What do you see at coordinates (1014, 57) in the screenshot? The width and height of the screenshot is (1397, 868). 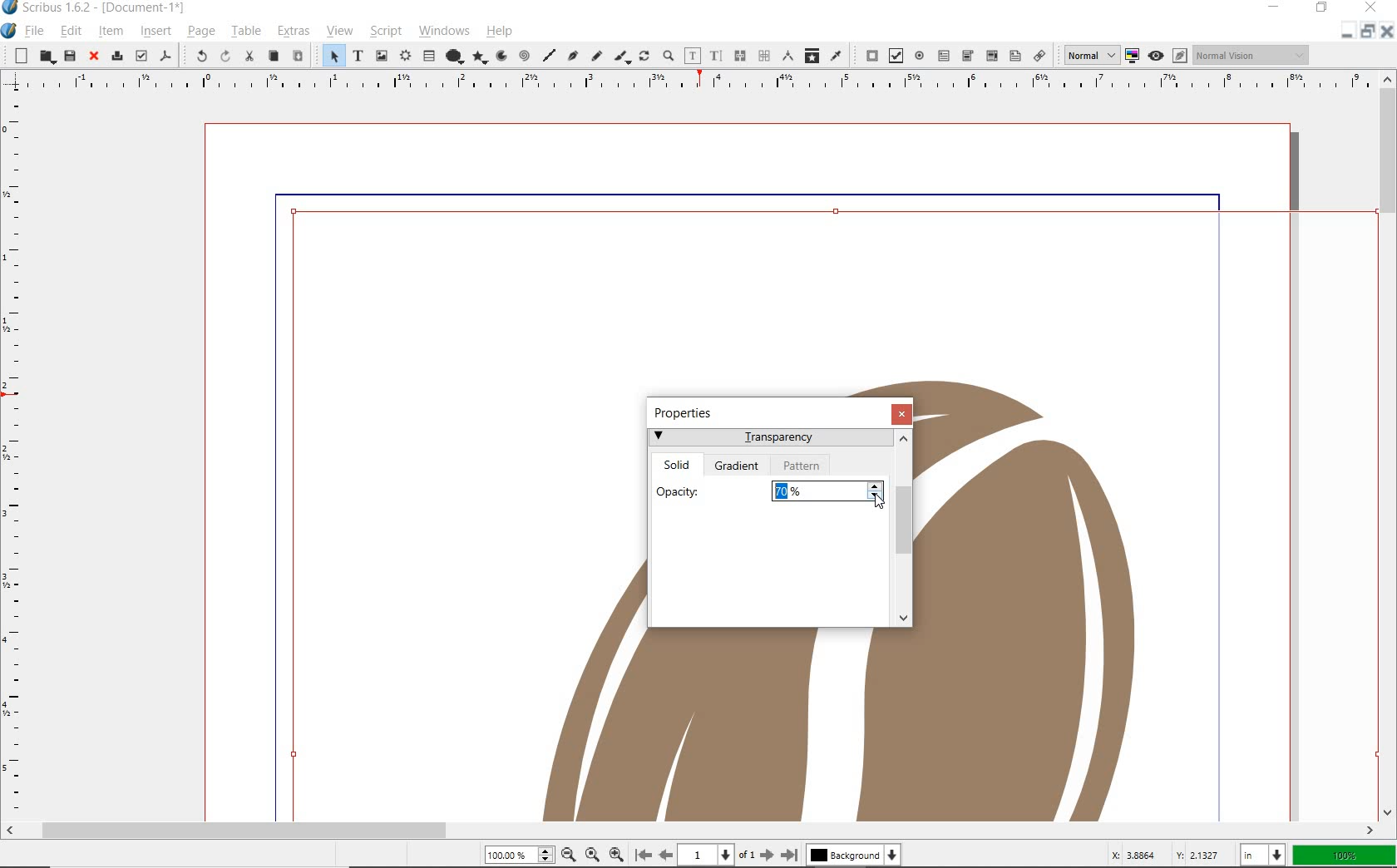 I see `pdf list box` at bounding box center [1014, 57].